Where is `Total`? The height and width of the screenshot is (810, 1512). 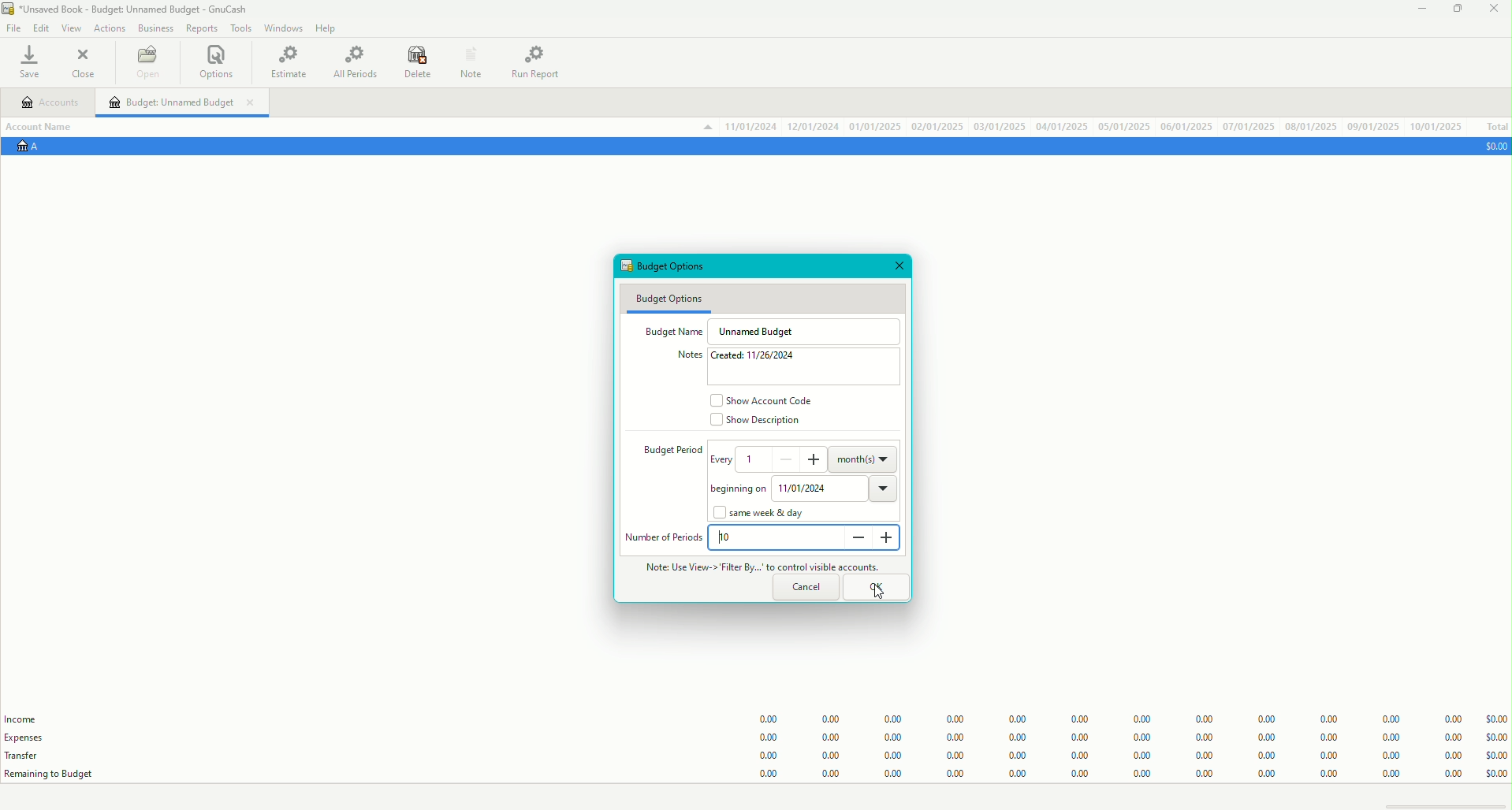
Total is located at coordinates (1495, 127).